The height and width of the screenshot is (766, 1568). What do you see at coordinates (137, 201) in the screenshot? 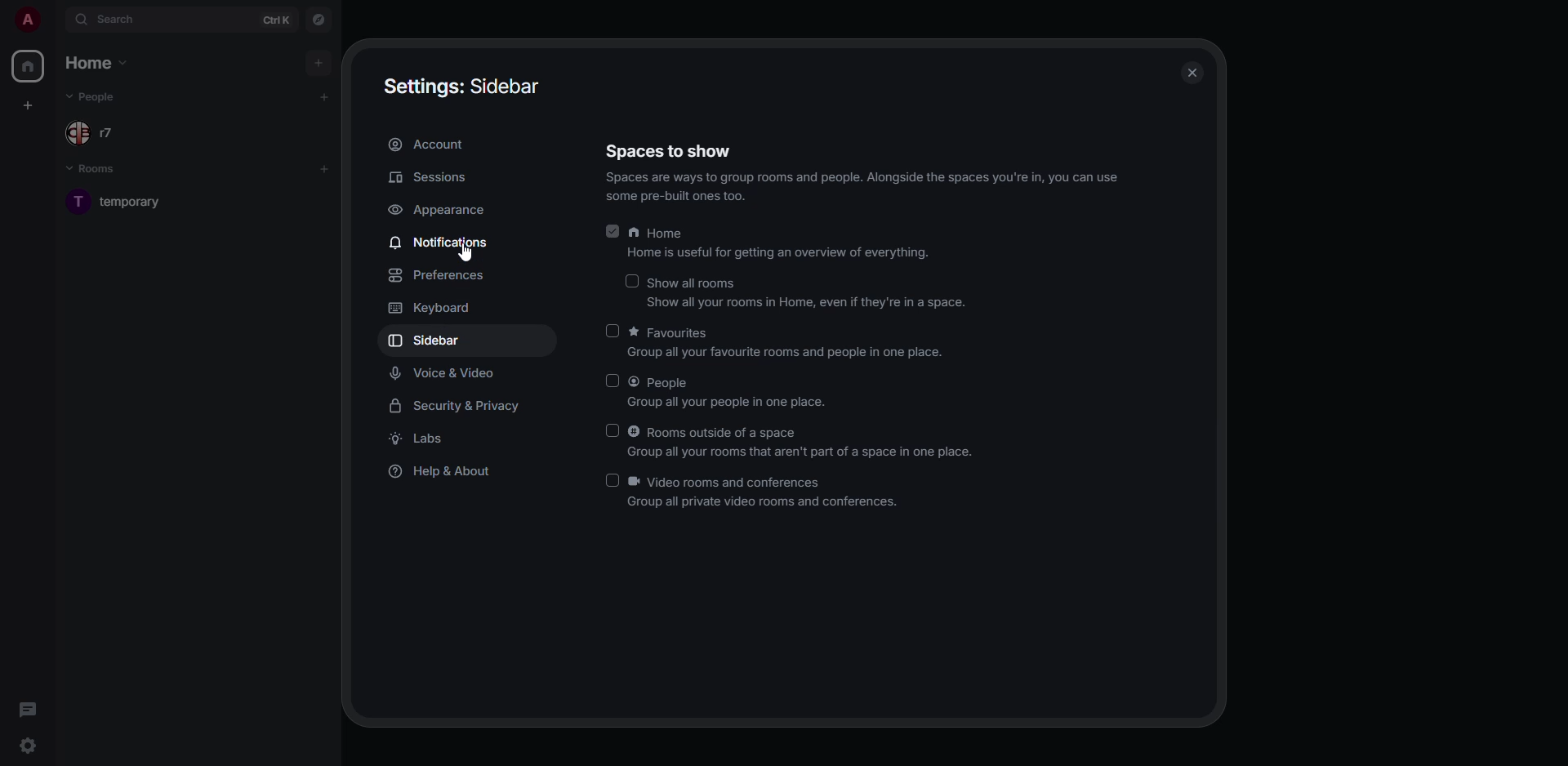
I see `room` at bounding box center [137, 201].